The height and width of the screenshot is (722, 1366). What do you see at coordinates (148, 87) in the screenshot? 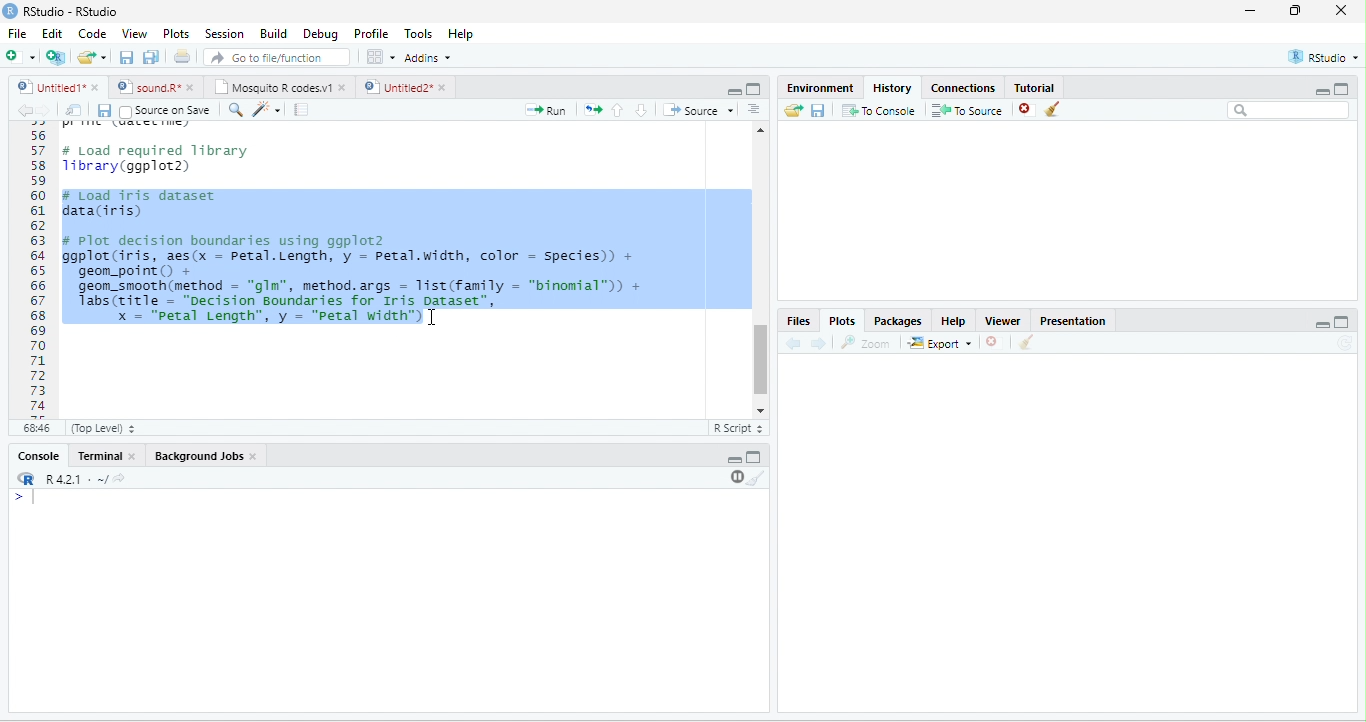
I see `sound.R` at bounding box center [148, 87].